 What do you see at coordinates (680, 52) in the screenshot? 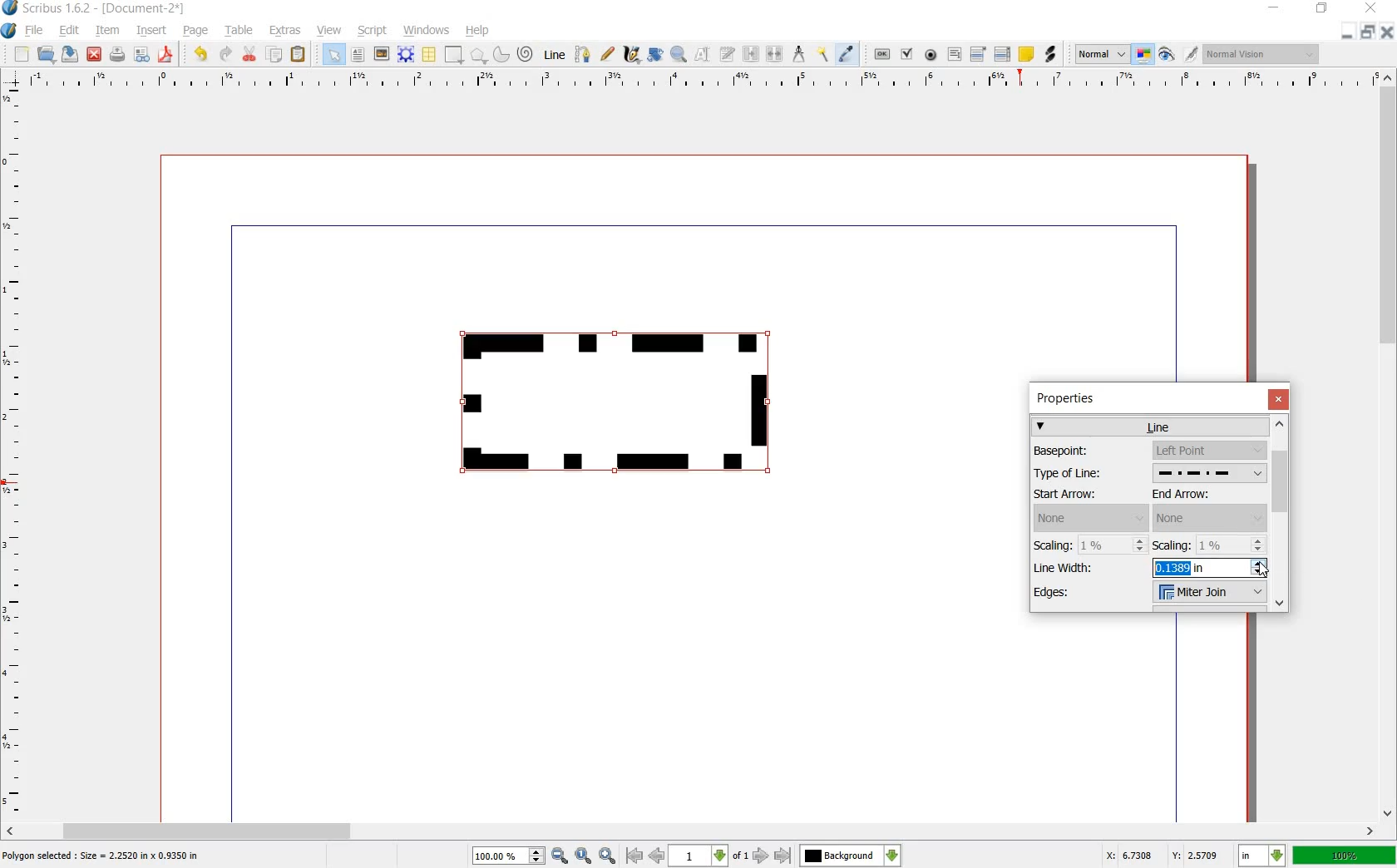
I see `ZOOM IN OR OUT` at bounding box center [680, 52].